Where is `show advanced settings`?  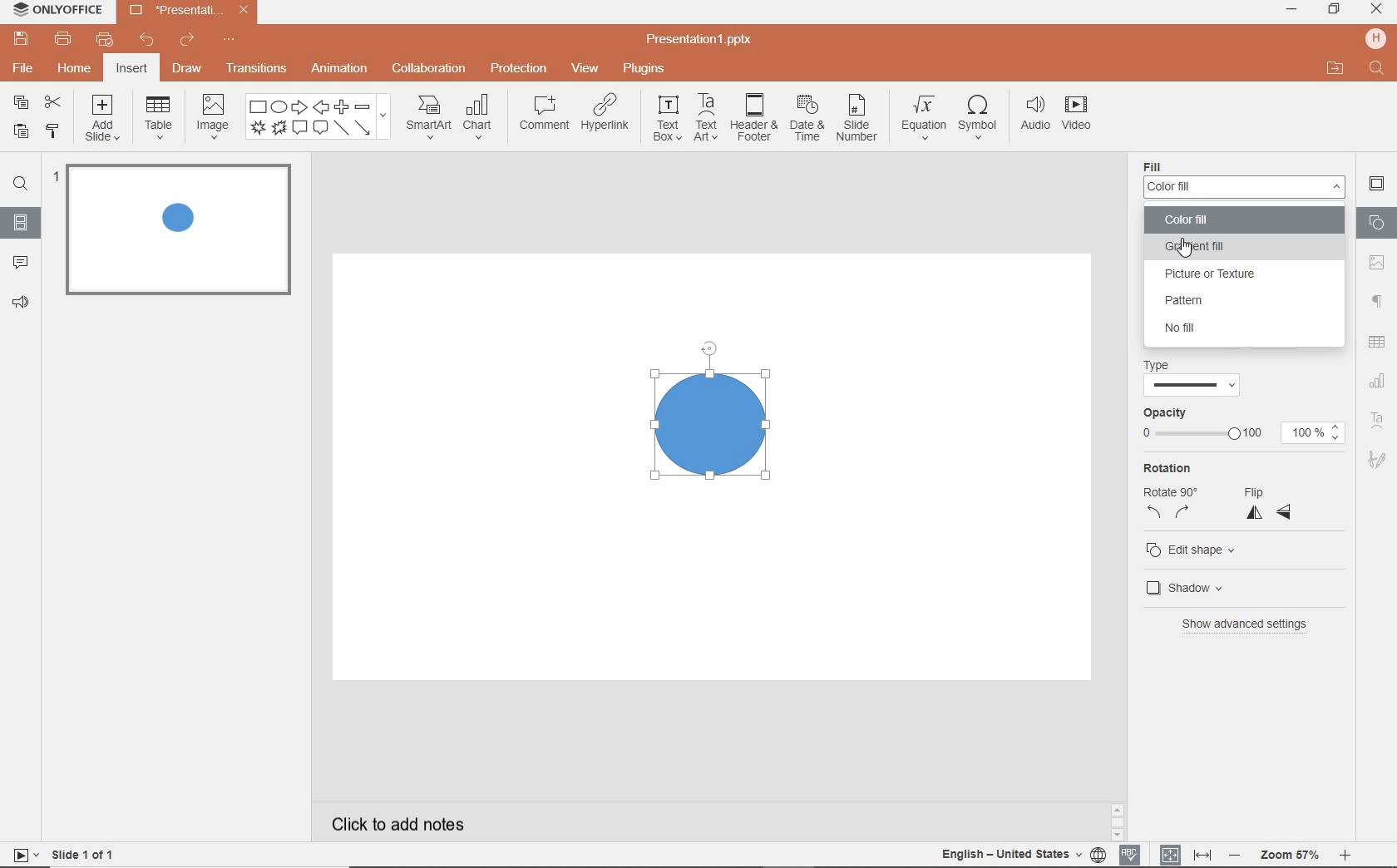
show advanced settings is located at coordinates (1242, 623).